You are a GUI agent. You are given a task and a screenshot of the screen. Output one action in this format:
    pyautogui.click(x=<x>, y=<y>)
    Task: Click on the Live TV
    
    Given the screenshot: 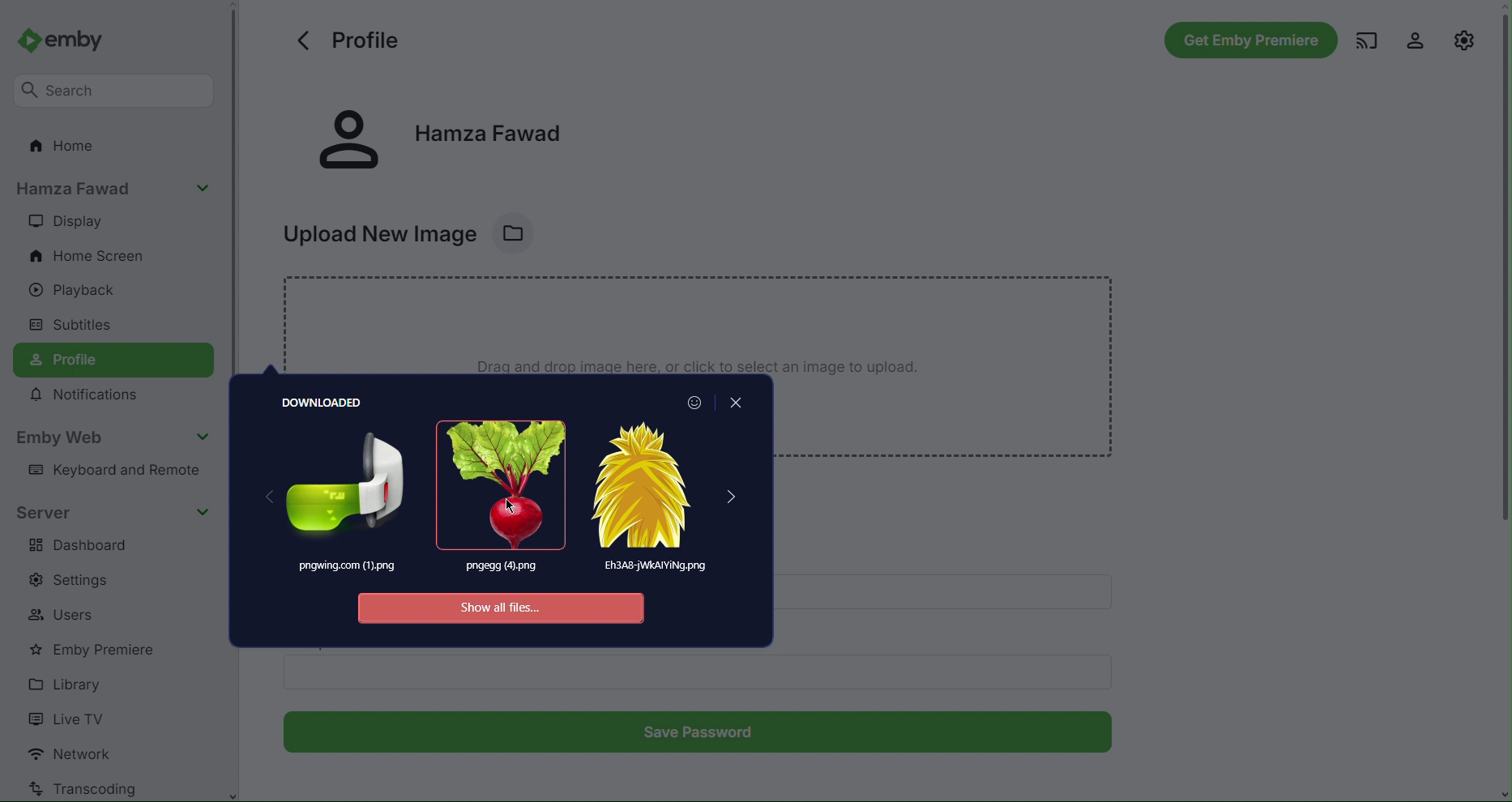 What is the action you would take?
    pyautogui.click(x=70, y=718)
    